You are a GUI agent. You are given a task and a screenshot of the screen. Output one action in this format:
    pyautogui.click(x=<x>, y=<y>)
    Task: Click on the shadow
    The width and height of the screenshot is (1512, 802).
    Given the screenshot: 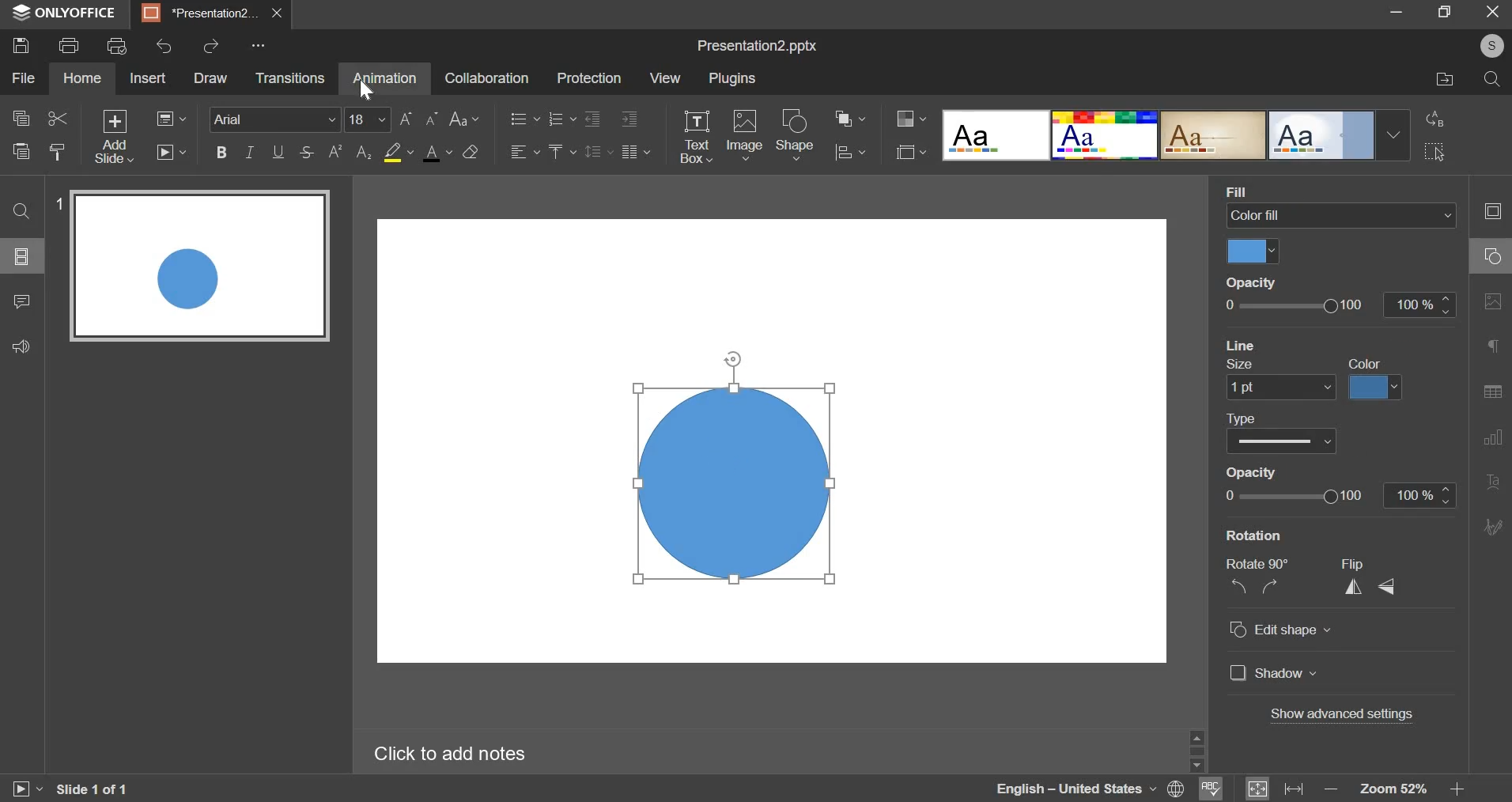 What is the action you would take?
    pyautogui.click(x=1276, y=675)
    